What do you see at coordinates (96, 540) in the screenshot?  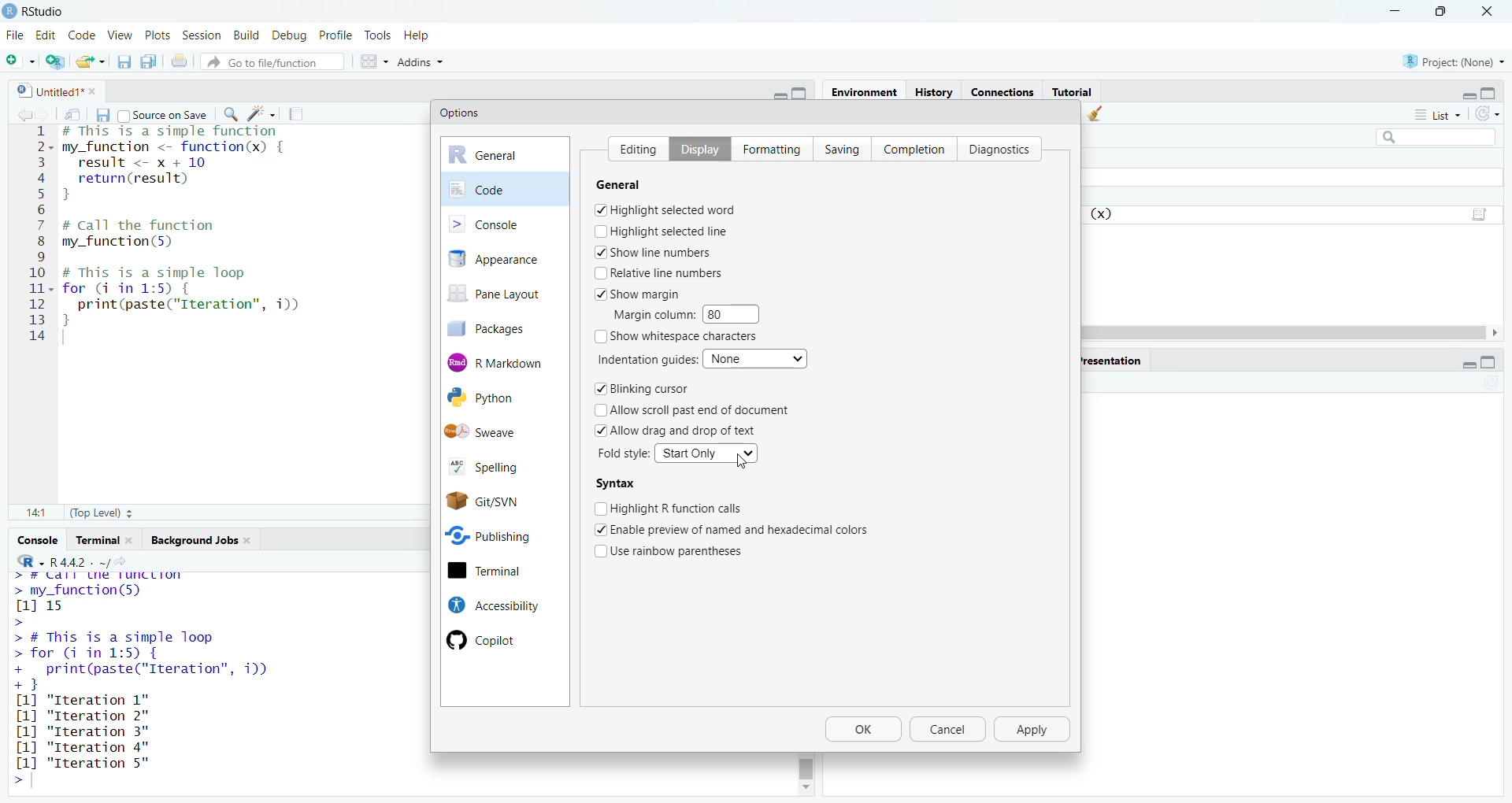 I see `terminal` at bounding box center [96, 540].